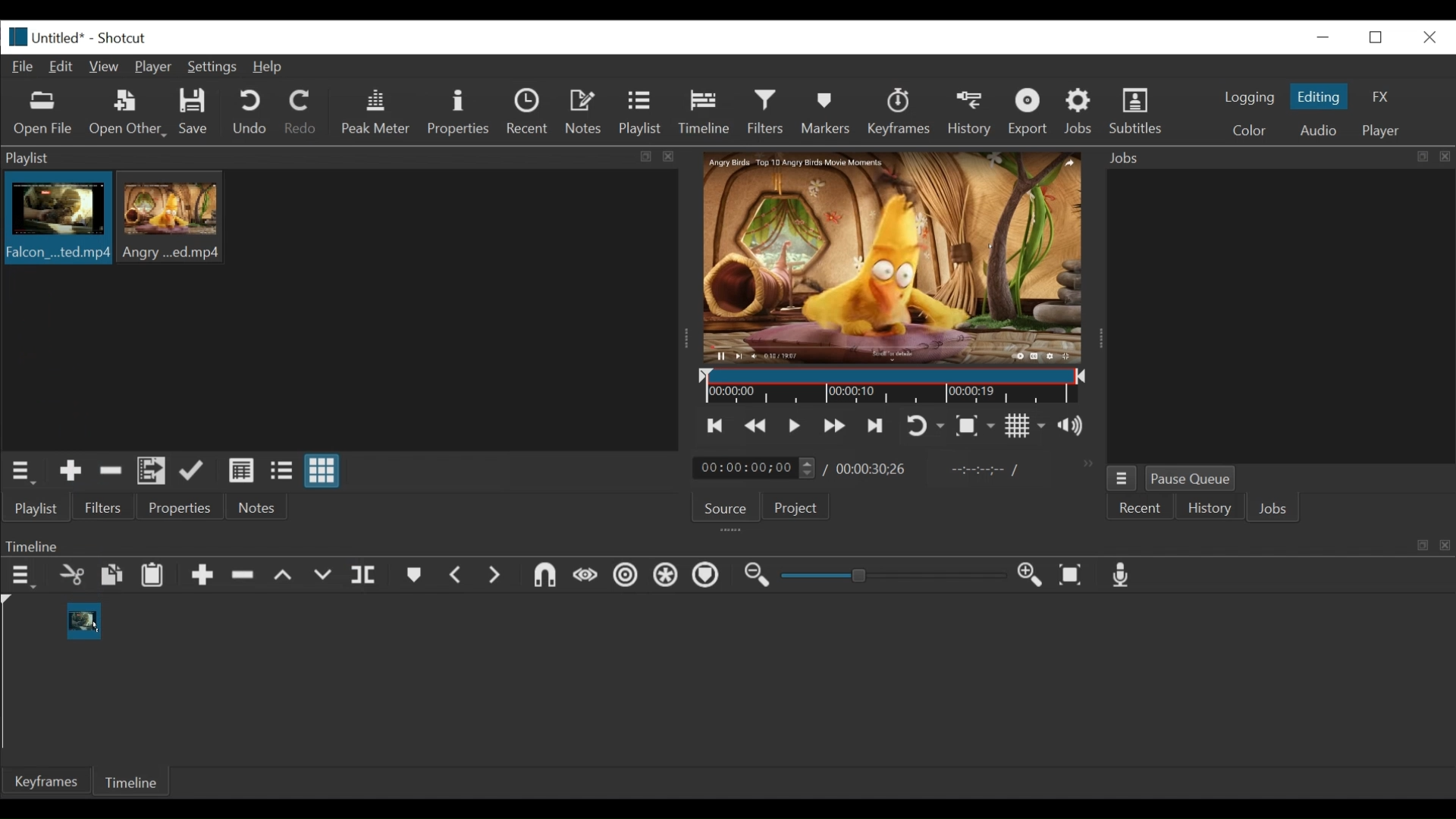 The image size is (1456, 819). What do you see at coordinates (1381, 97) in the screenshot?
I see `FX` at bounding box center [1381, 97].